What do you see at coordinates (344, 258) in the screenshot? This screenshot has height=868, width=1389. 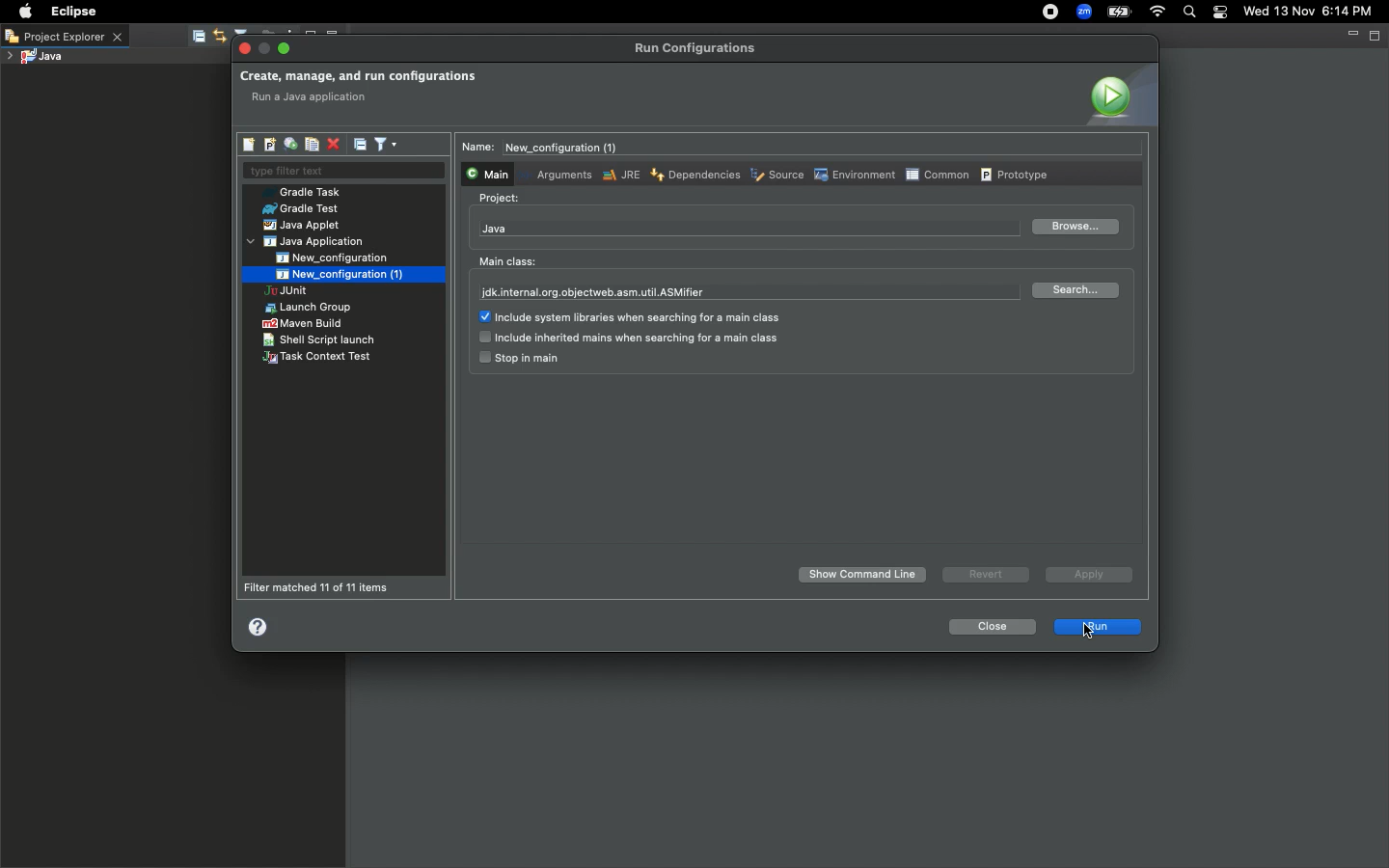 I see `New_configuration` at bounding box center [344, 258].